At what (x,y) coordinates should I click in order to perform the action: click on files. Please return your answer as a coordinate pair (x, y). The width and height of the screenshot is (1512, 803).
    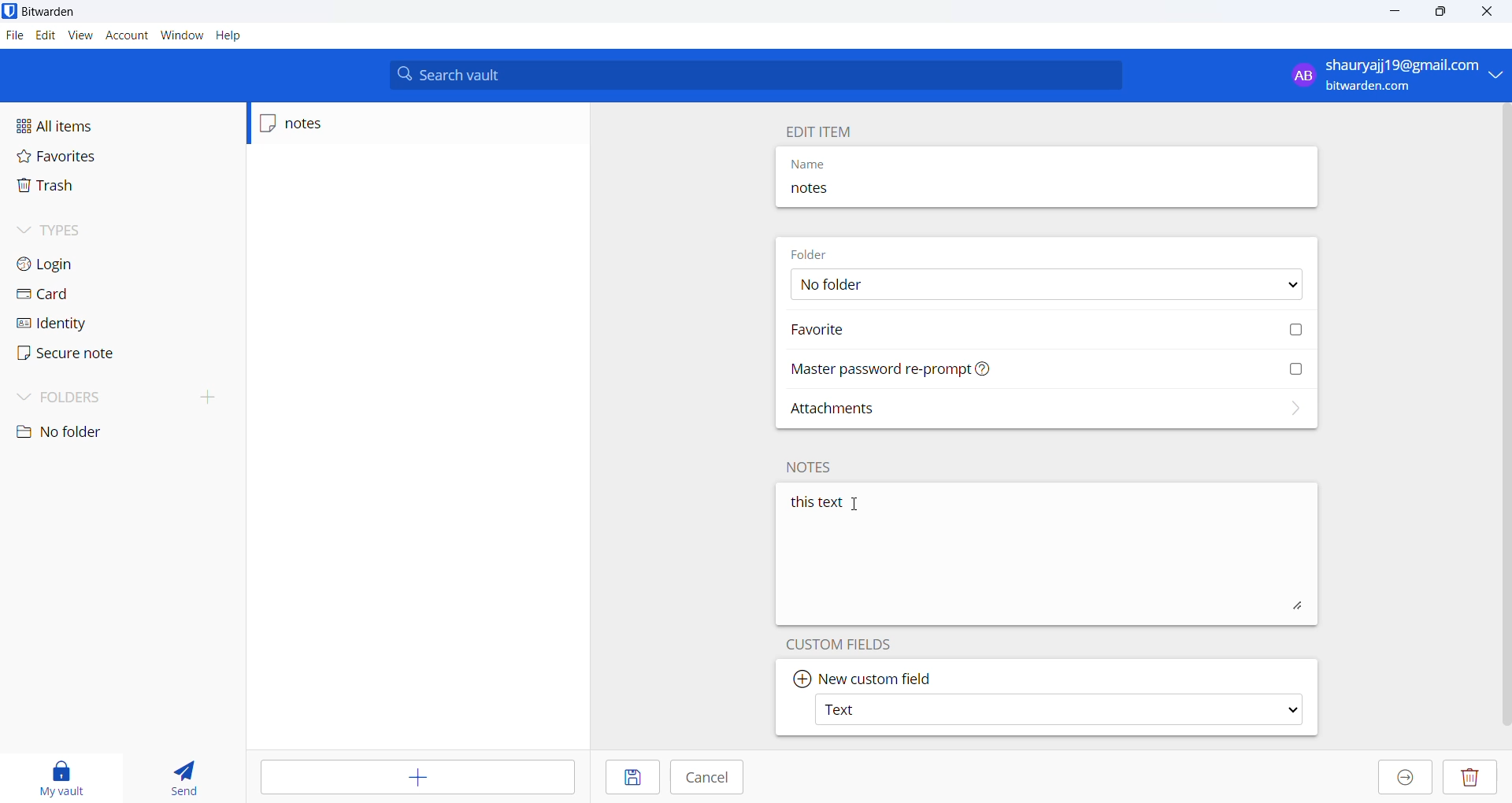
    Looking at the image, I should click on (13, 35).